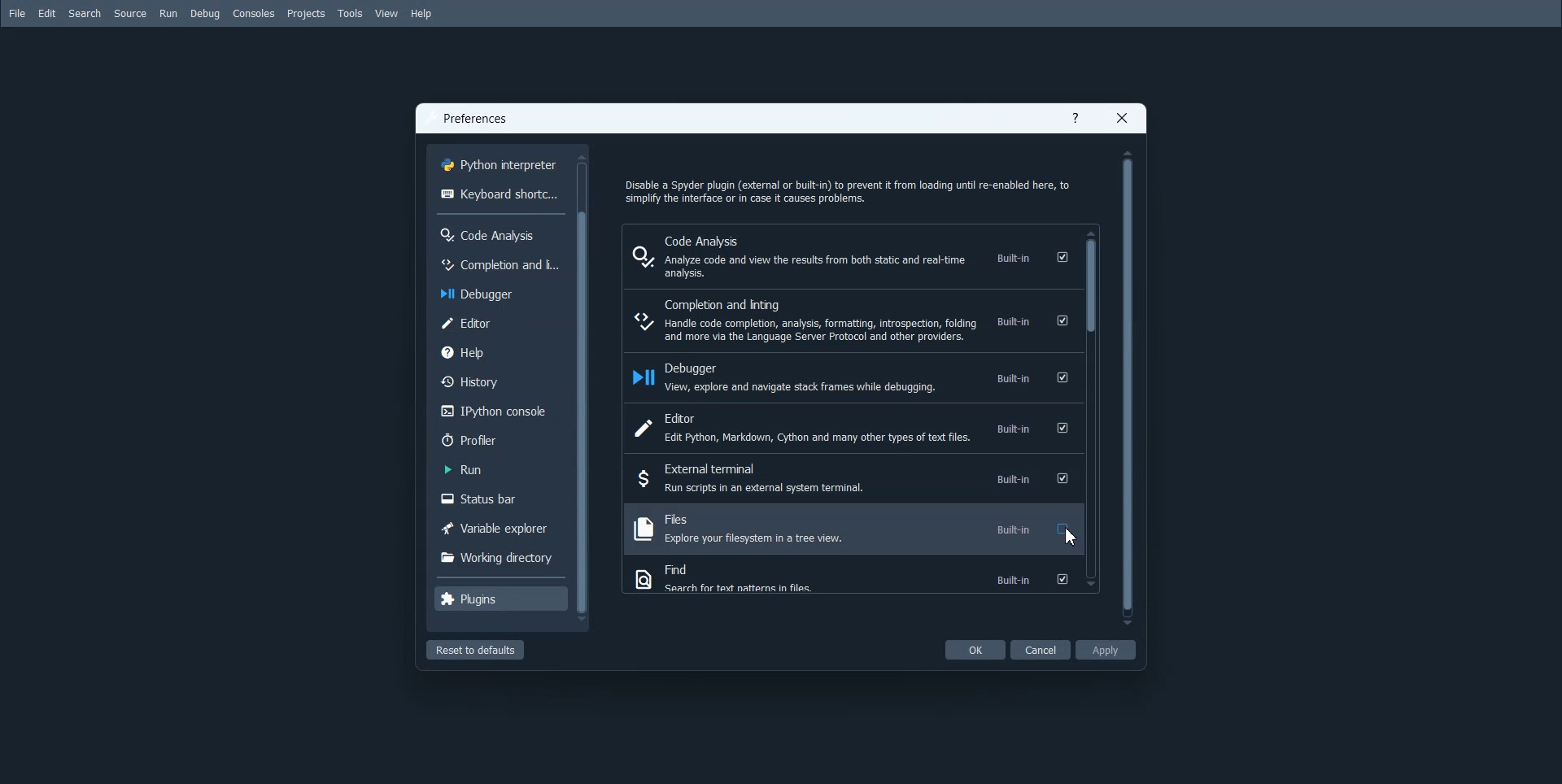 This screenshot has width=1562, height=784. I want to click on Code Anakysis, so click(499, 233).